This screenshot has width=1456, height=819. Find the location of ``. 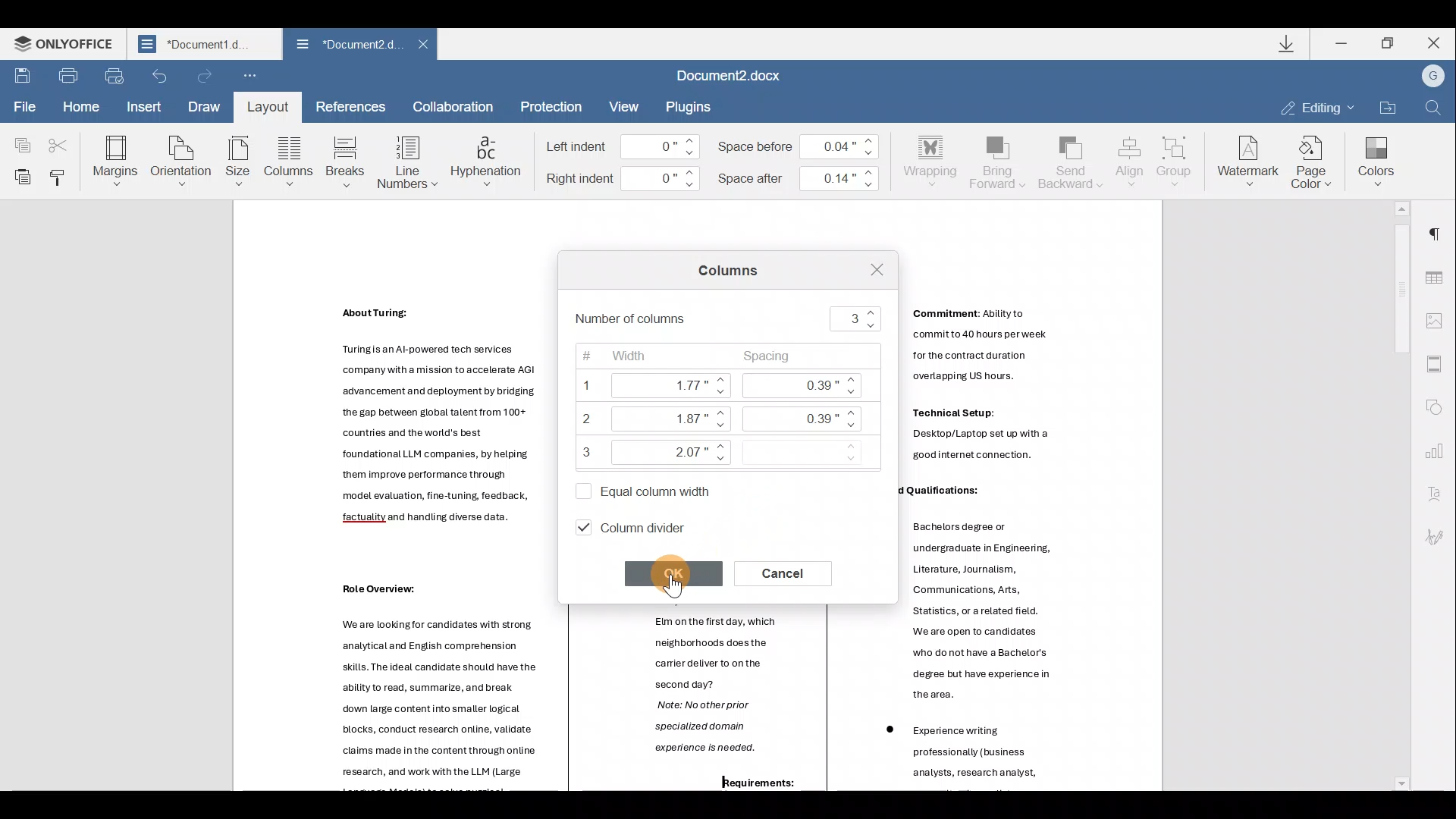

 is located at coordinates (970, 747).